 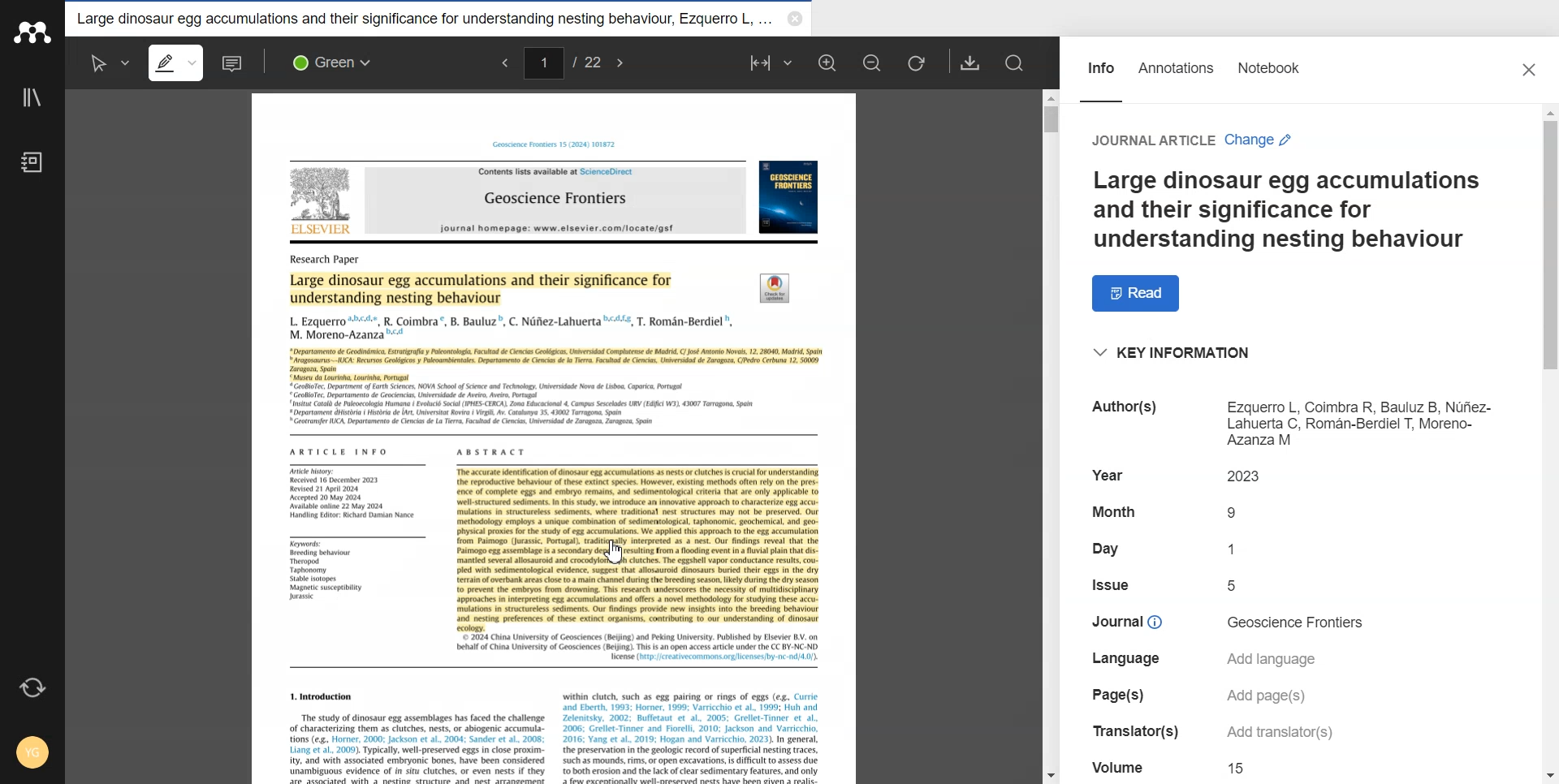 What do you see at coordinates (1276, 658) in the screenshot?
I see `text` at bounding box center [1276, 658].